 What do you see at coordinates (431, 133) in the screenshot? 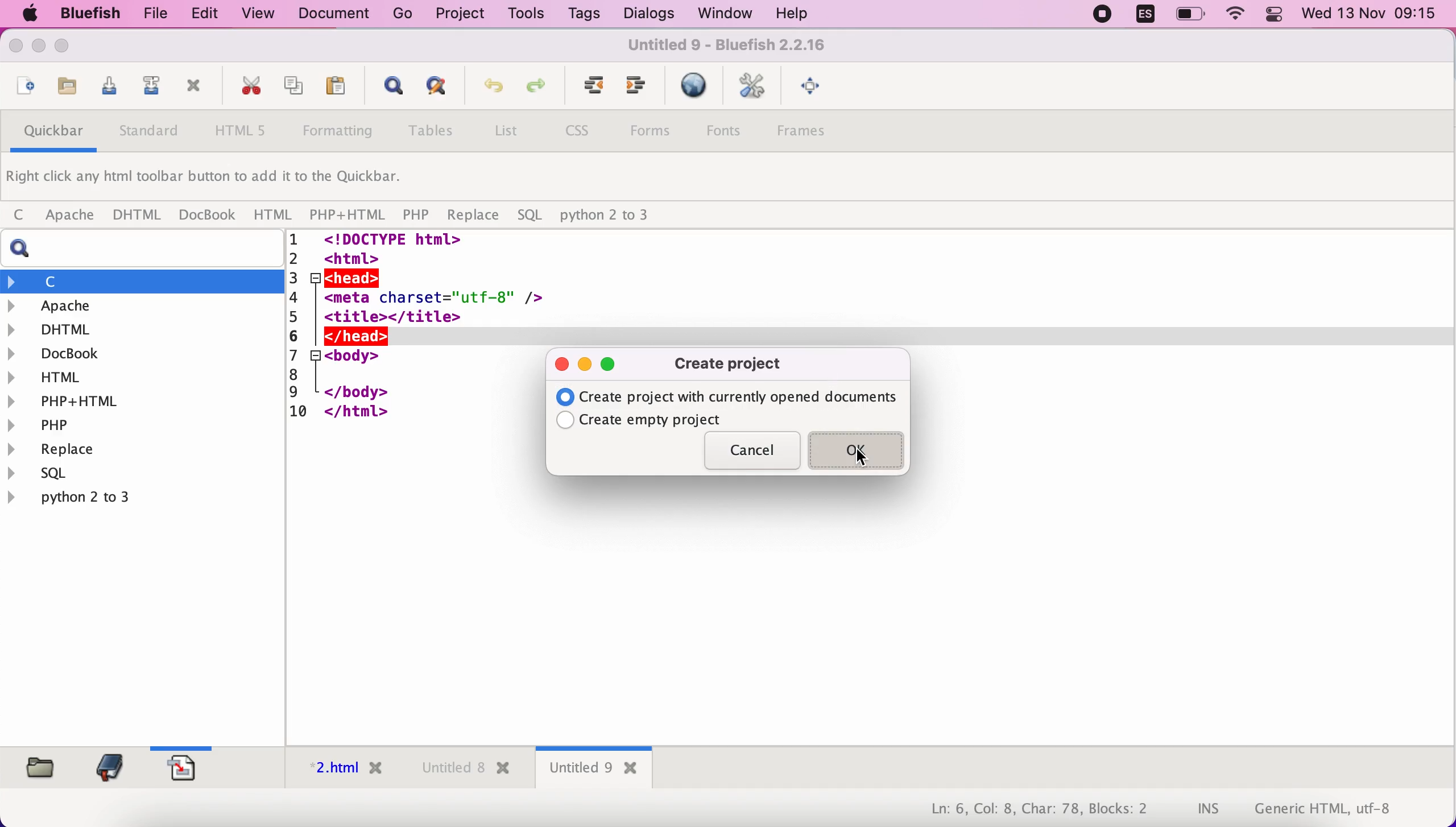
I see `tables` at bounding box center [431, 133].